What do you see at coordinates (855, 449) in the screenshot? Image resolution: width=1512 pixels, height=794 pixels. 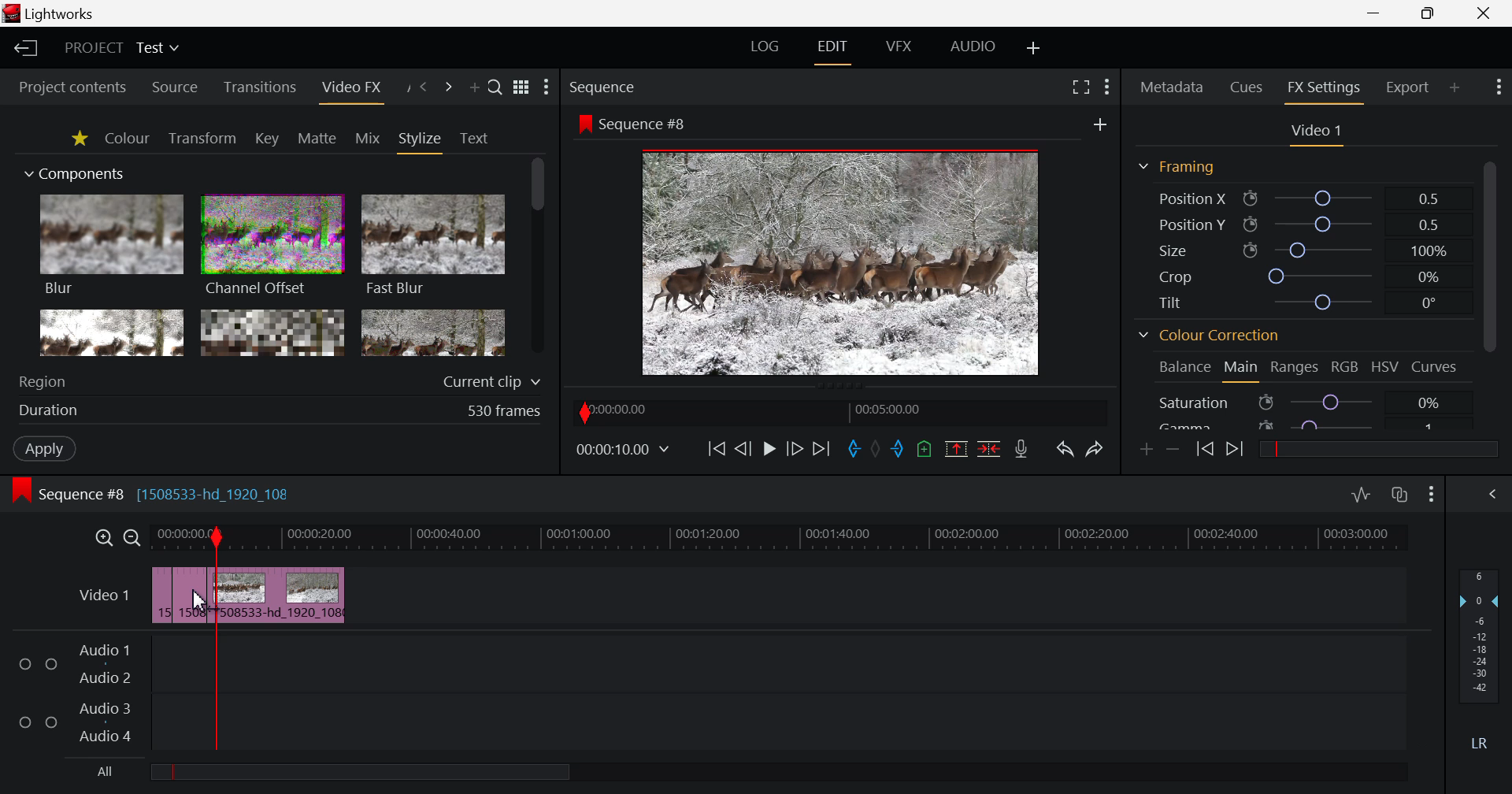 I see `Mark In` at bounding box center [855, 449].